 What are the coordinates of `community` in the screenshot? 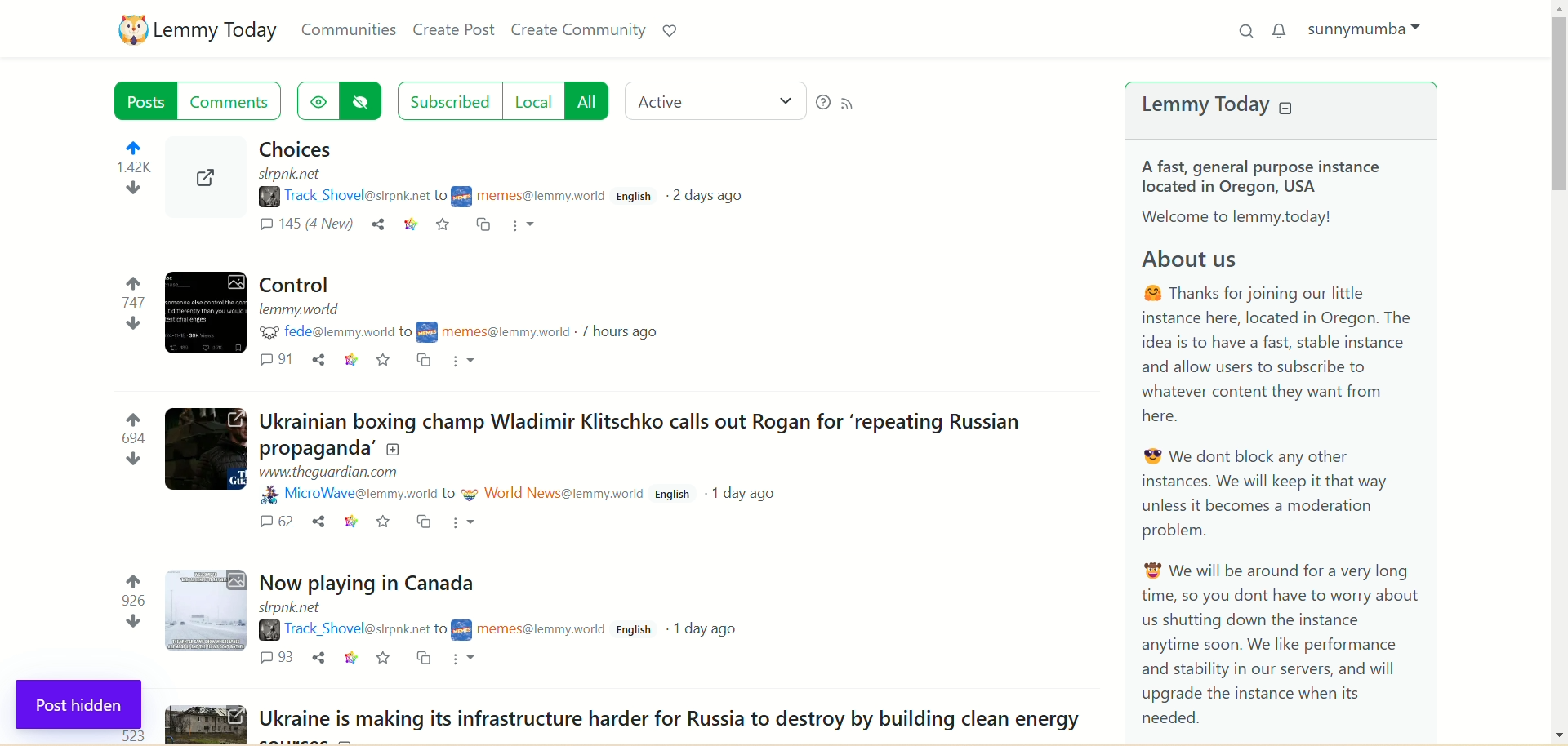 It's located at (531, 632).